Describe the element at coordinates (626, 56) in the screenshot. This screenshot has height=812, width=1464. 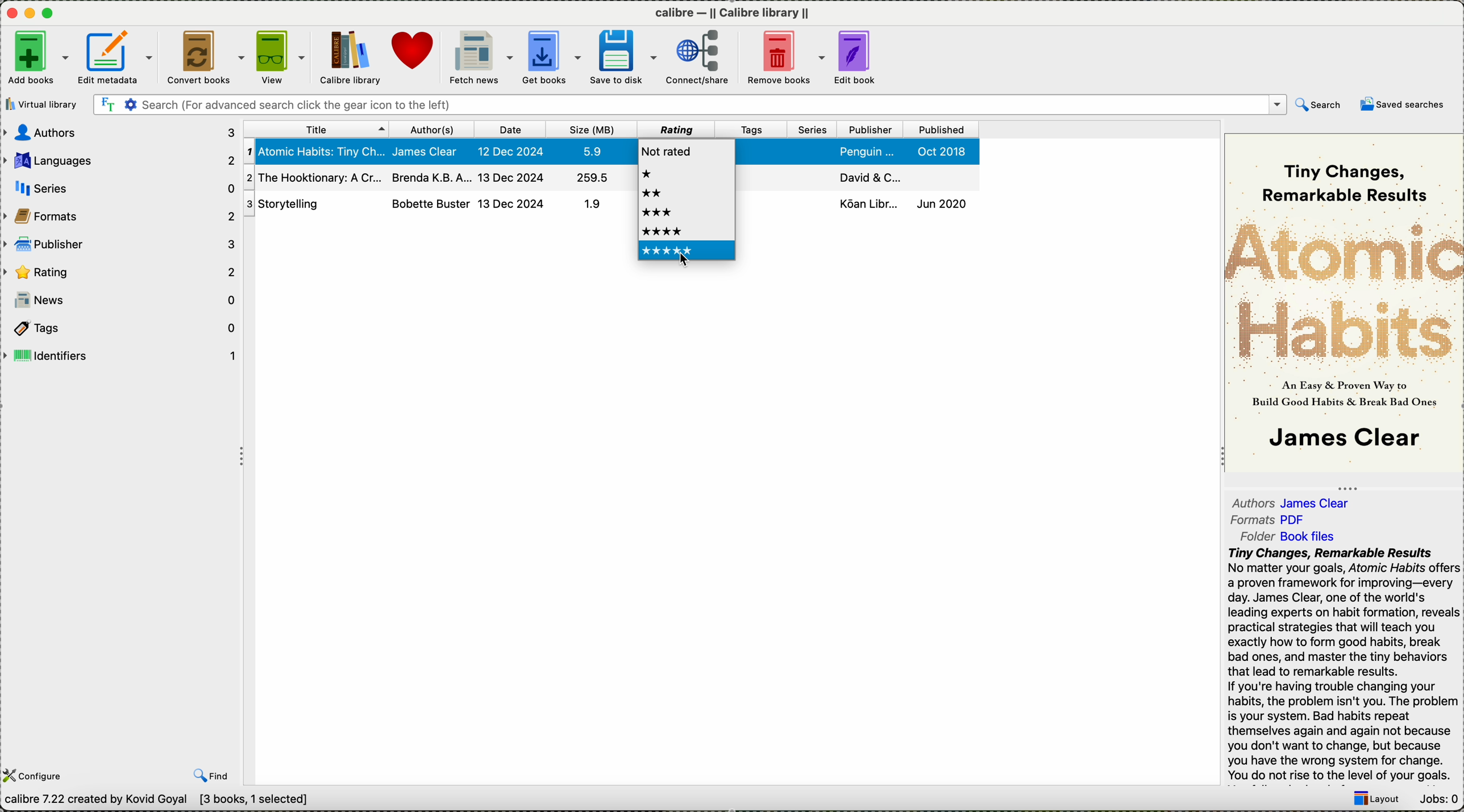
I see `save to disk` at that location.